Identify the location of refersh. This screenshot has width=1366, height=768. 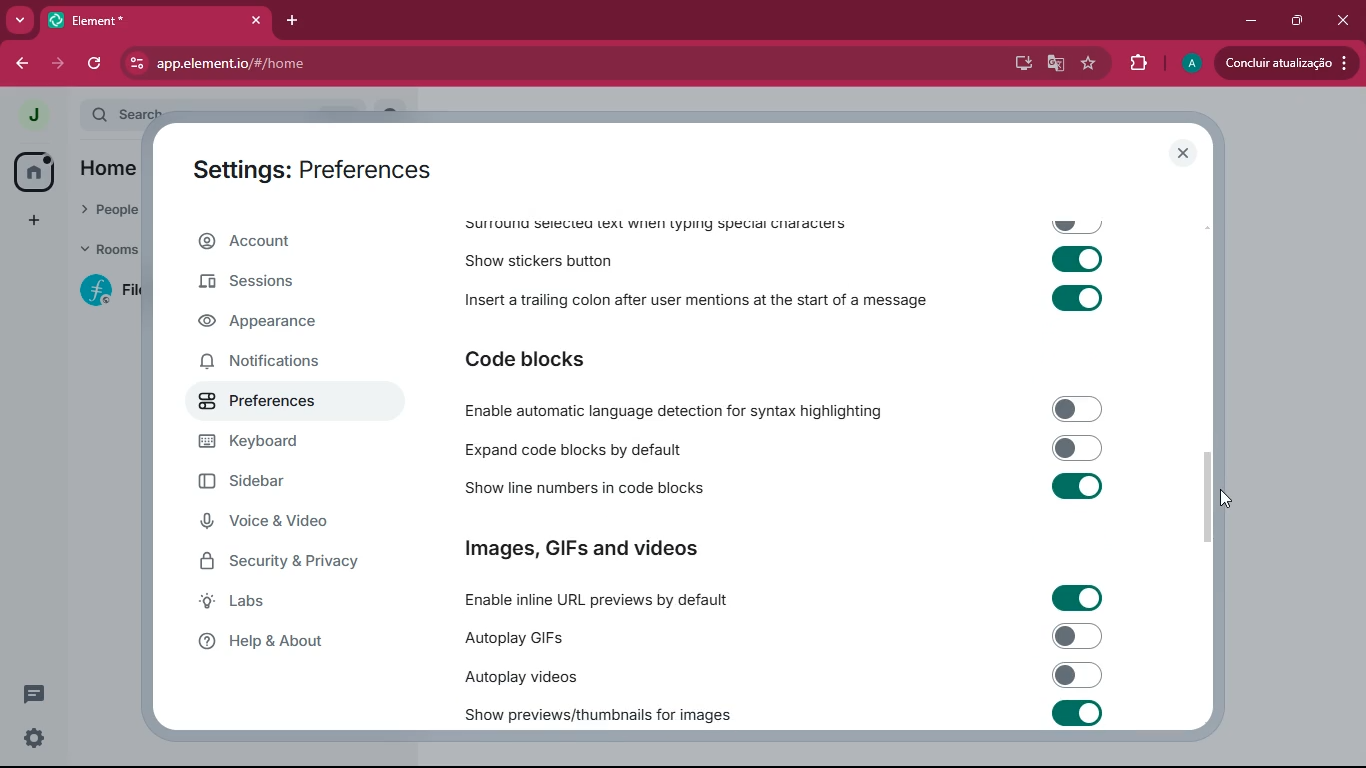
(96, 63).